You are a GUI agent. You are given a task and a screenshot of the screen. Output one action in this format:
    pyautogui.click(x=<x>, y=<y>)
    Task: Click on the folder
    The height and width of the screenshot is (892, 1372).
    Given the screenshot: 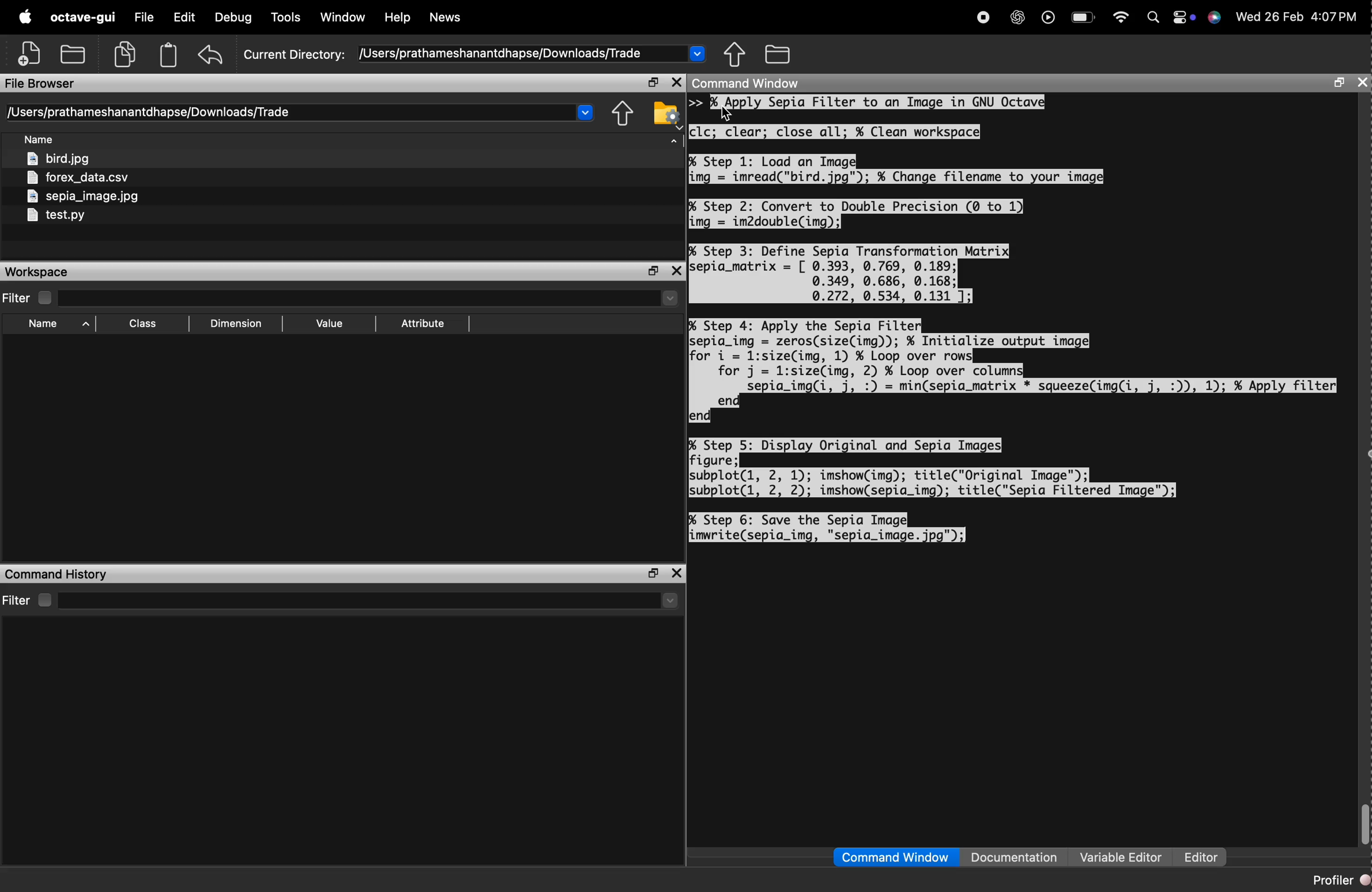 What is the action you would take?
    pyautogui.click(x=777, y=54)
    